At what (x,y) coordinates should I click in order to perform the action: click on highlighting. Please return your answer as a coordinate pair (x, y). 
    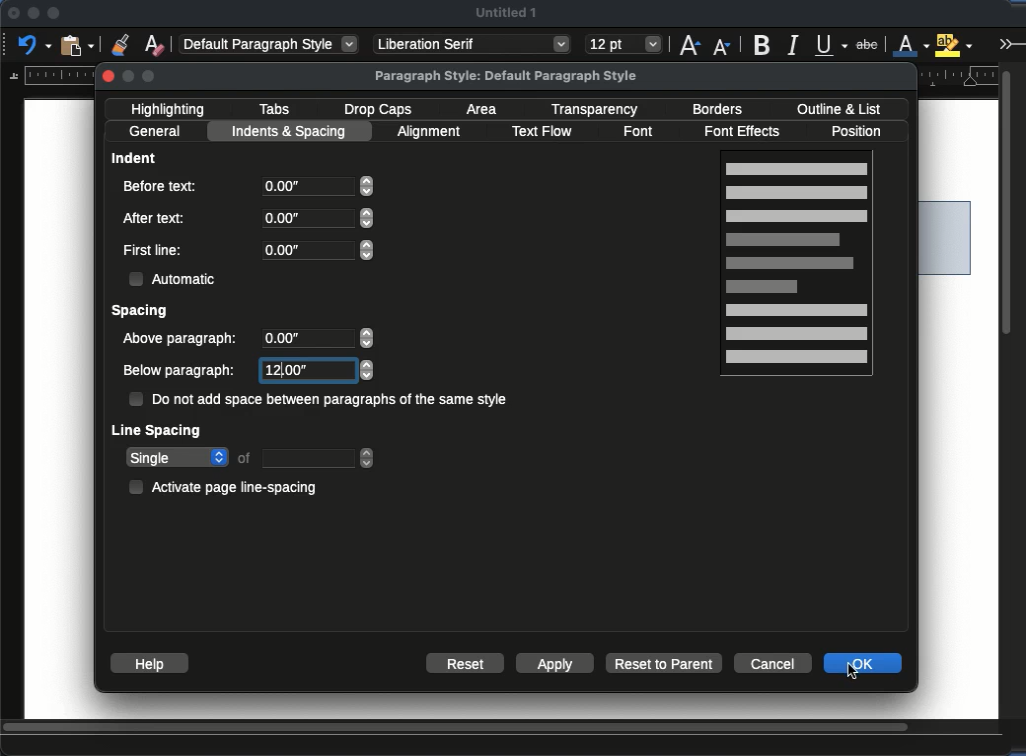
    Looking at the image, I should click on (171, 109).